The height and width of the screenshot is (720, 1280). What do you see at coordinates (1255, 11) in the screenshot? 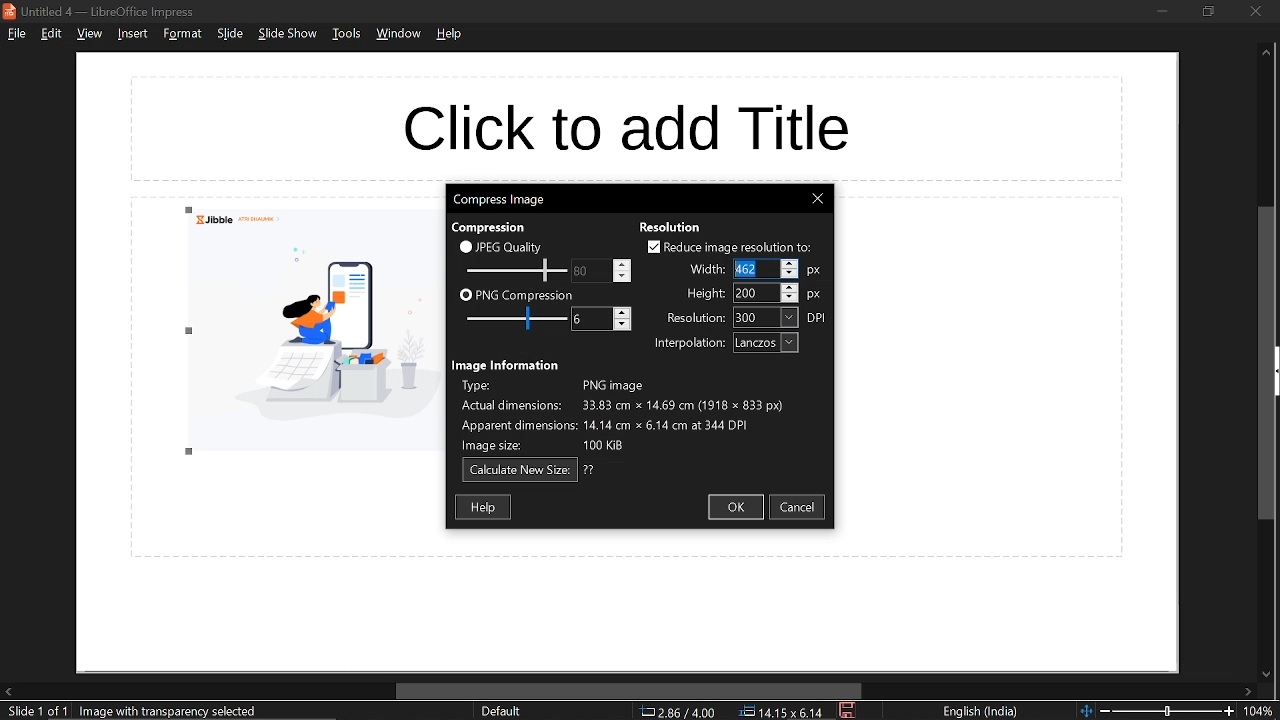
I see `close` at bounding box center [1255, 11].